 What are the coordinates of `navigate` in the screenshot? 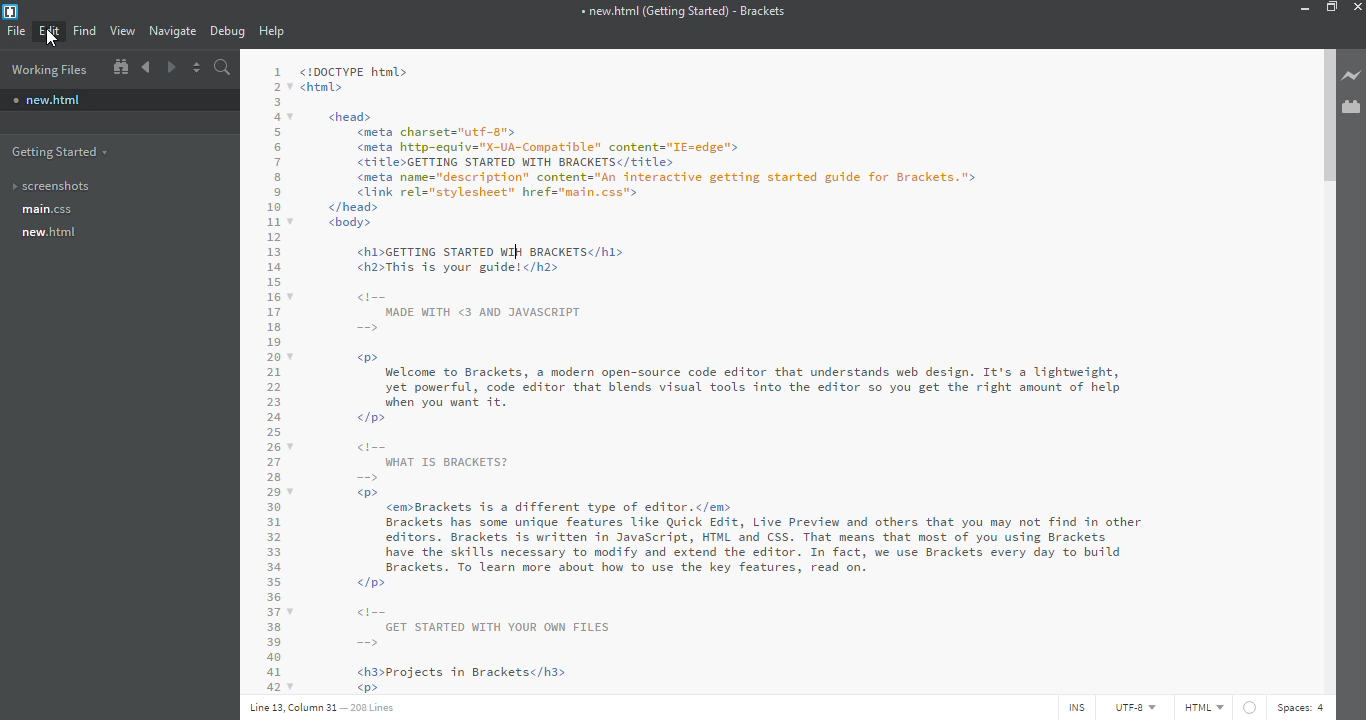 It's located at (174, 30).